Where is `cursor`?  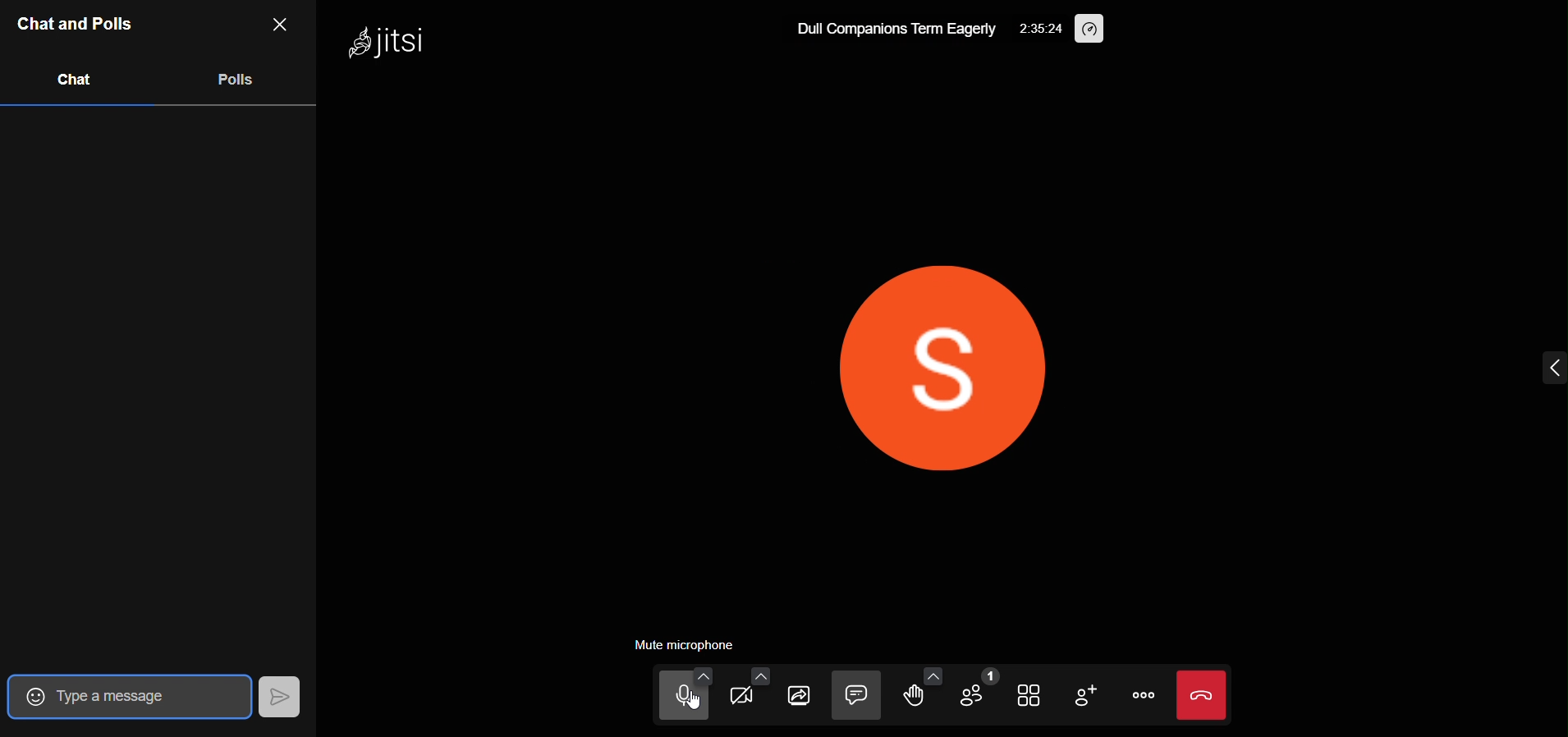
cursor is located at coordinates (690, 710).